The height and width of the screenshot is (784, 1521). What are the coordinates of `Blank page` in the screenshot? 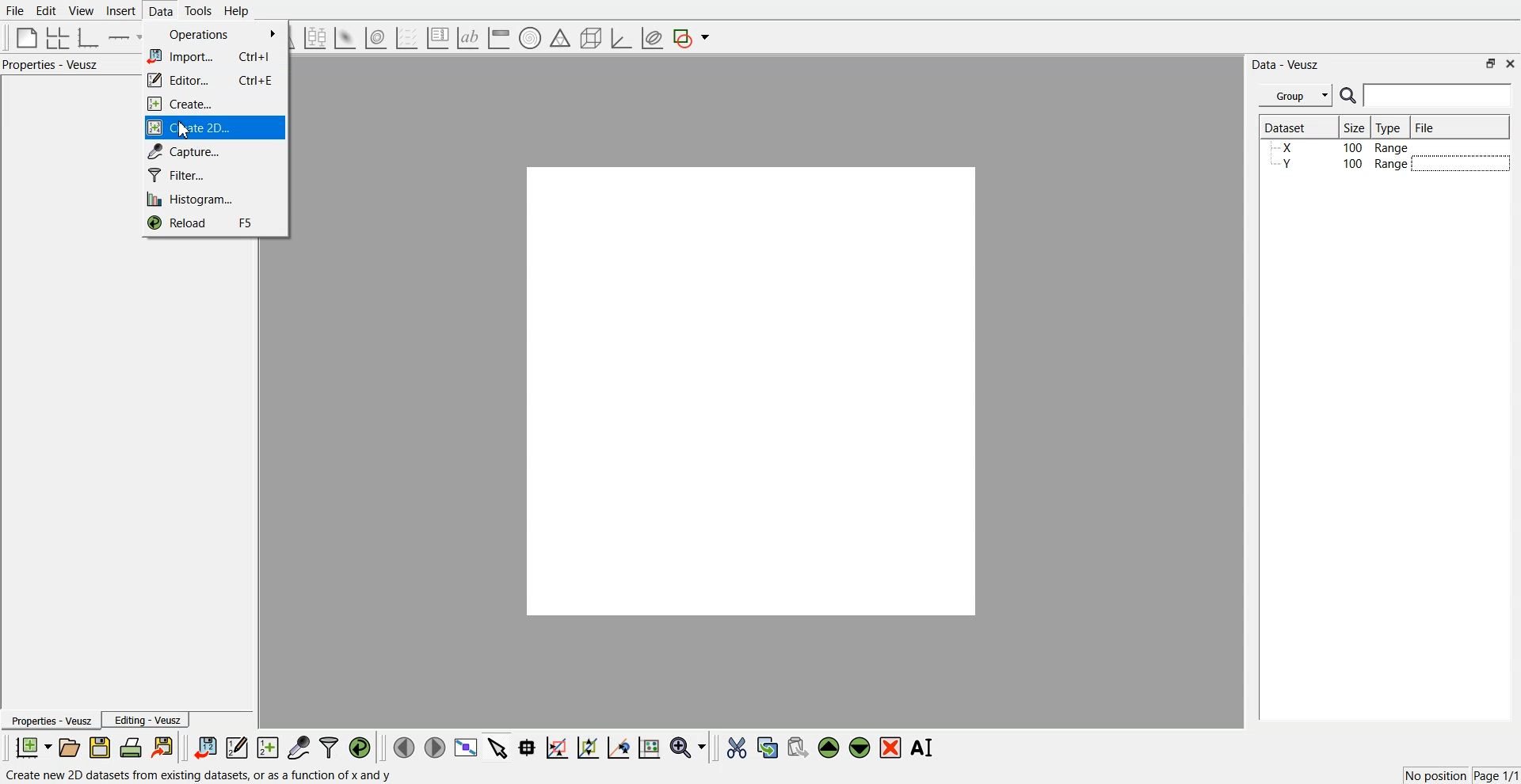 It's located at (27, 37).